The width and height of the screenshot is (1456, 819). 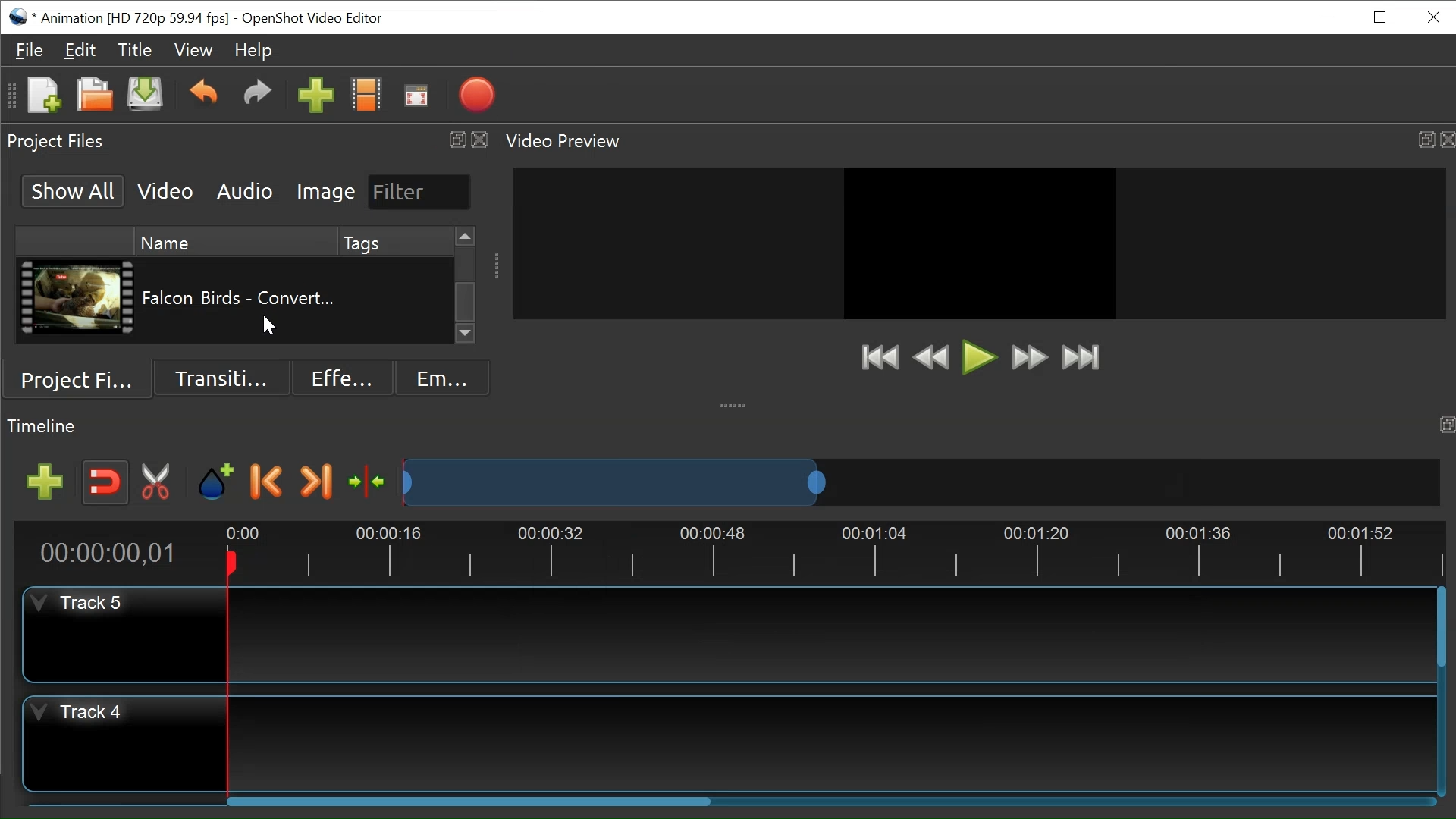 What do you see at coordinates (315, 481) in the screenshot?
I see `Next Marker` at bounding box center [315, 481].